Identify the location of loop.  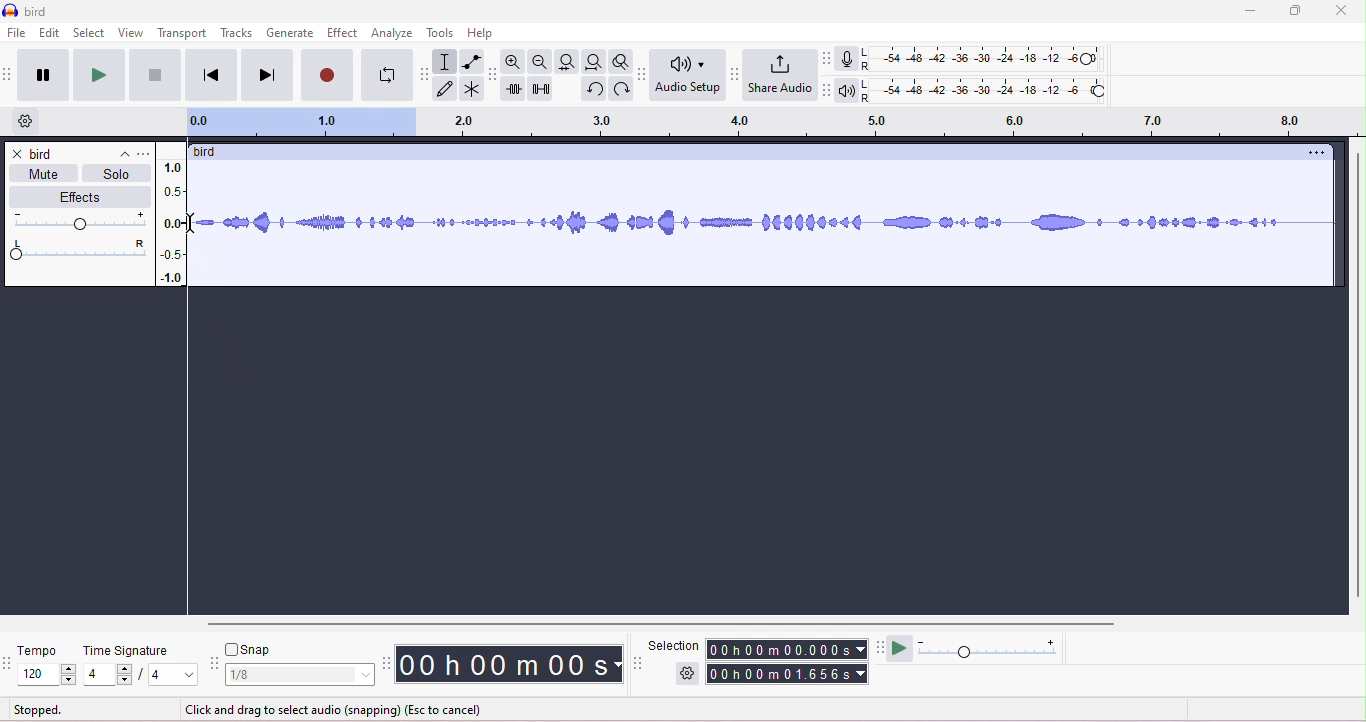
(387, 75).